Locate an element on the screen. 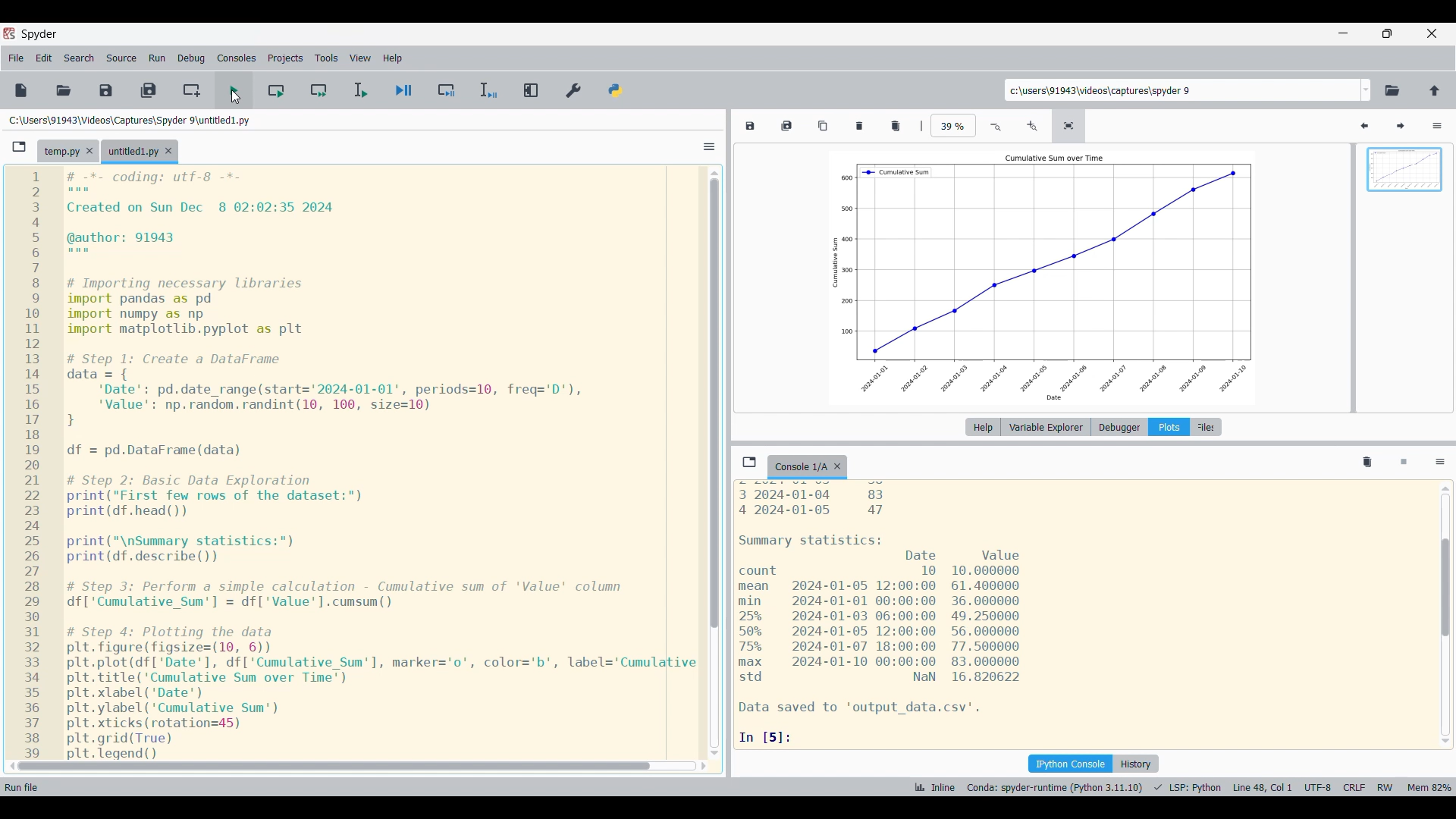 This screenshot has width=1456, height=819. Consoles menu  is located at coordinates (237, 58).